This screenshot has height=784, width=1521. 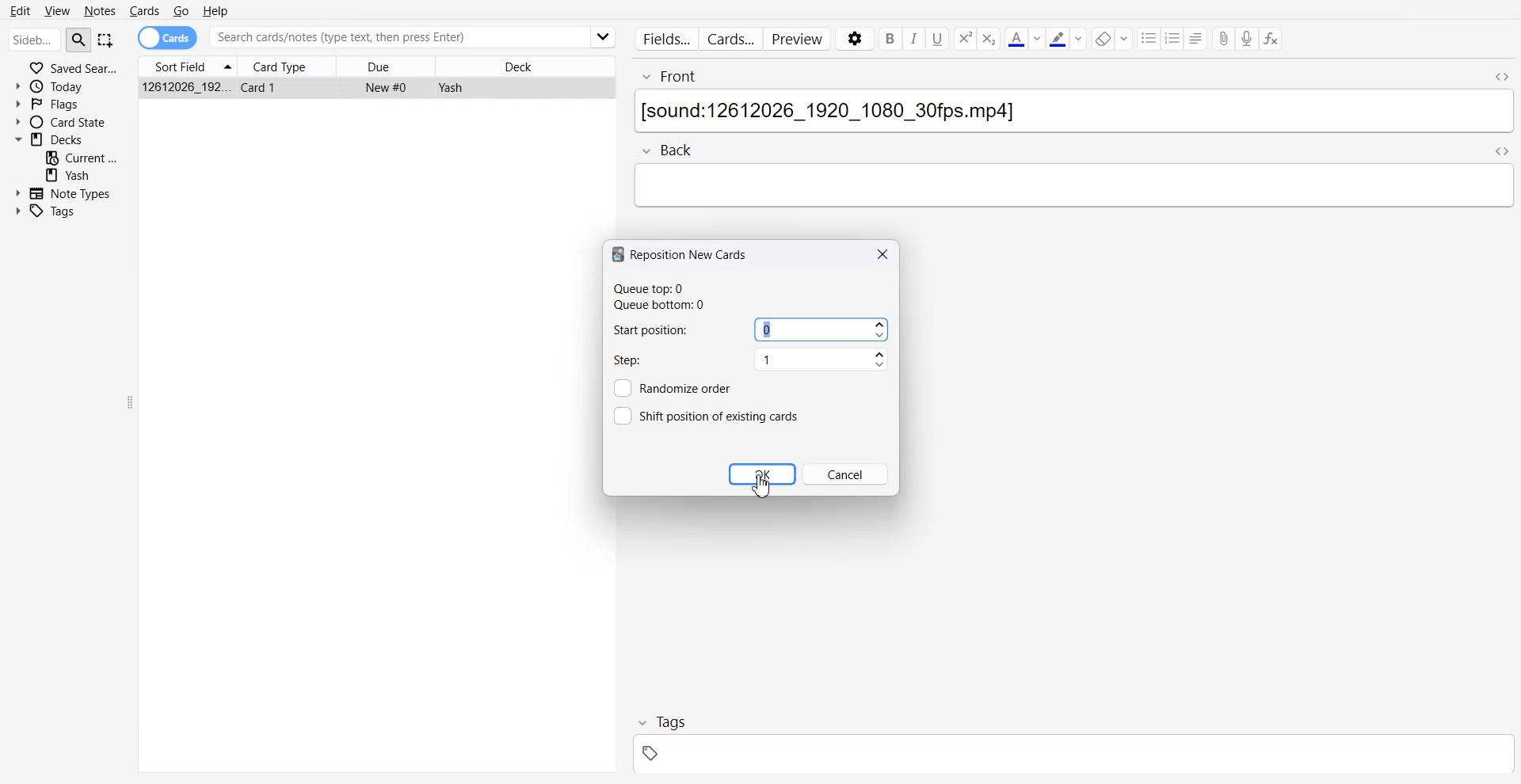 I want to click on Shift position to existing cards, so click(x=719, y=415).